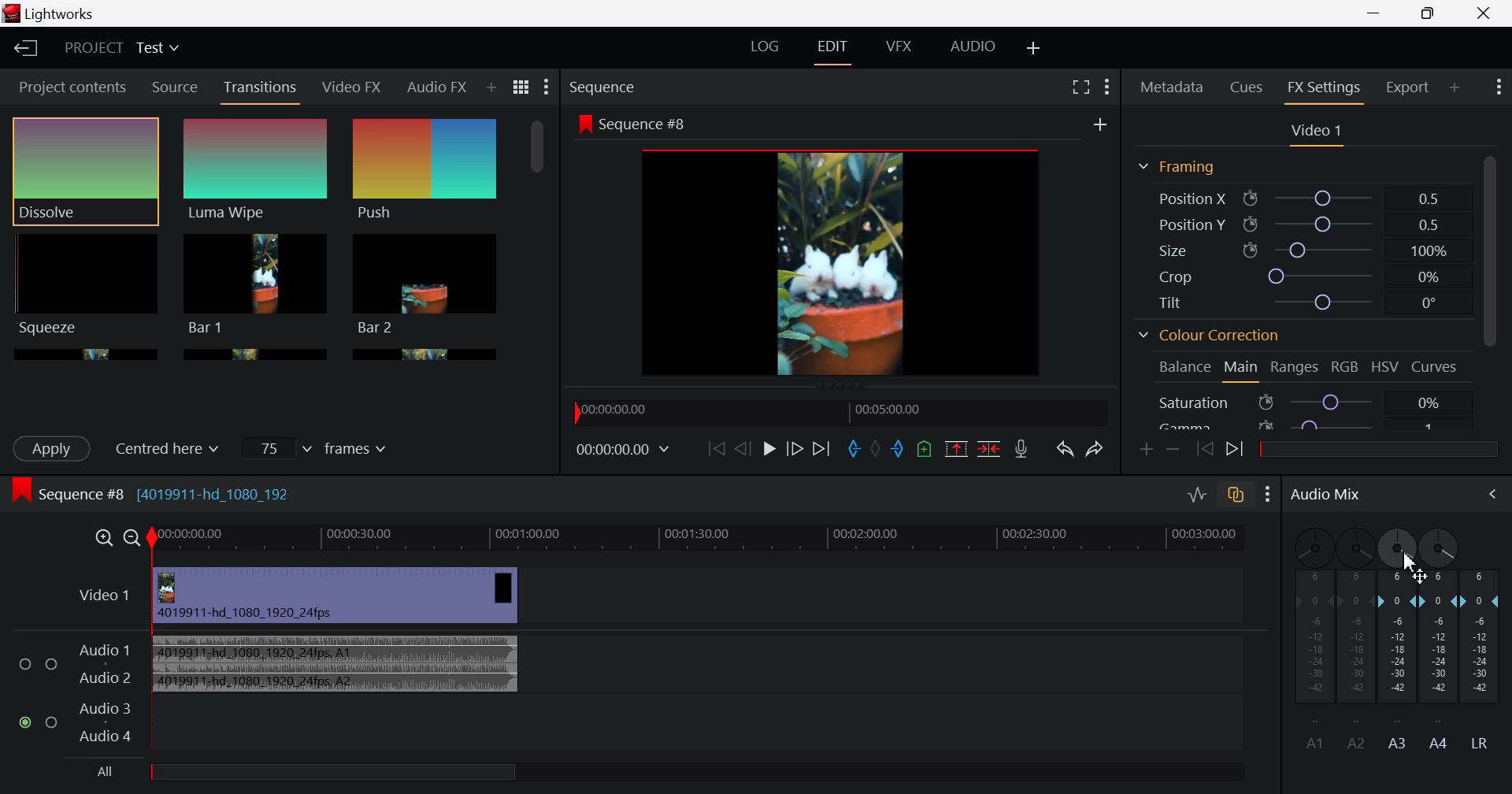 The height and width of the screenshot is (794, 1512). Describe the element at coordinates (1413, 567) in the screenshot. I see `cursor` at that location.